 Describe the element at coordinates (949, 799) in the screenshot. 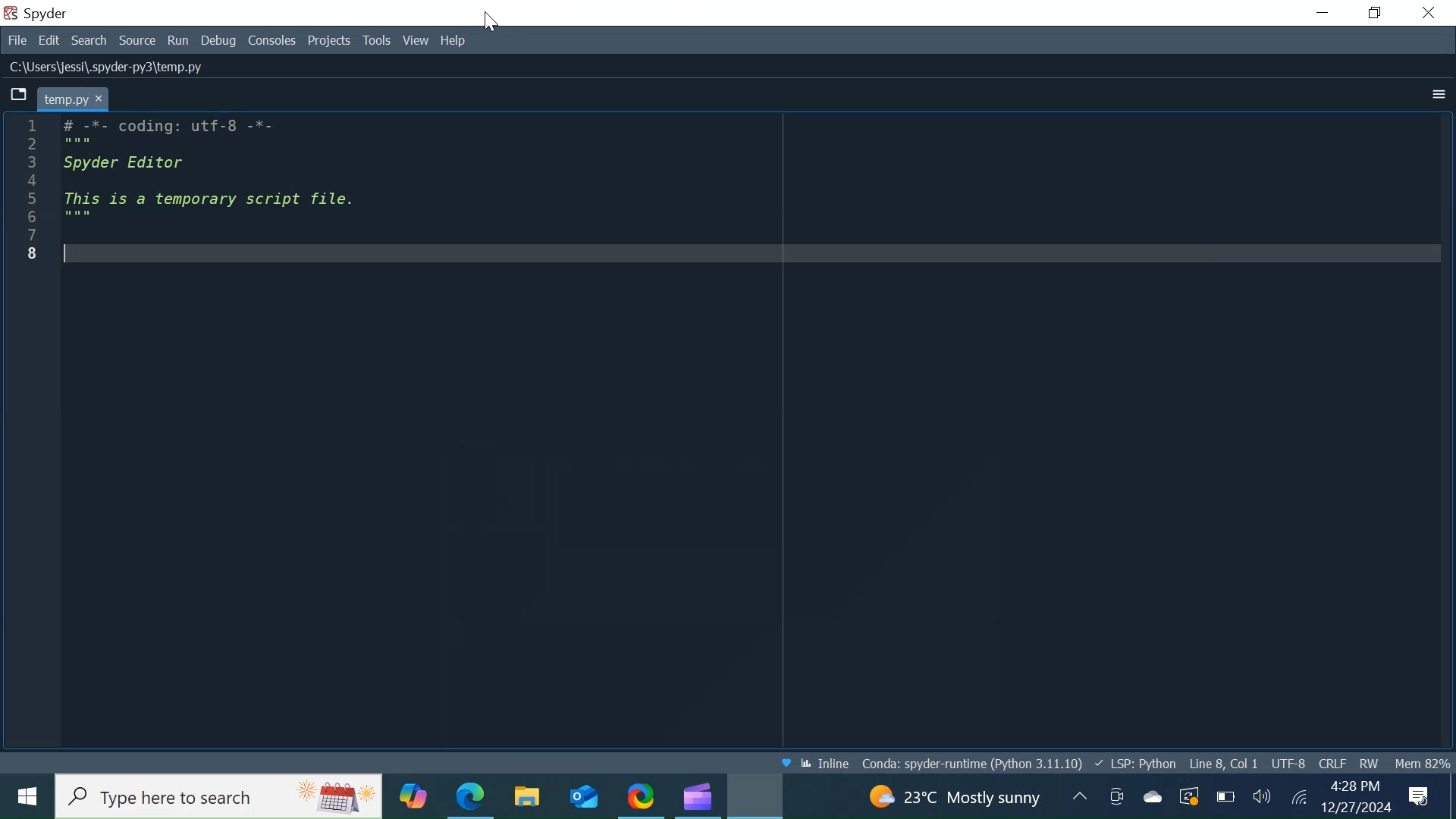

I see `Weather` at that location.